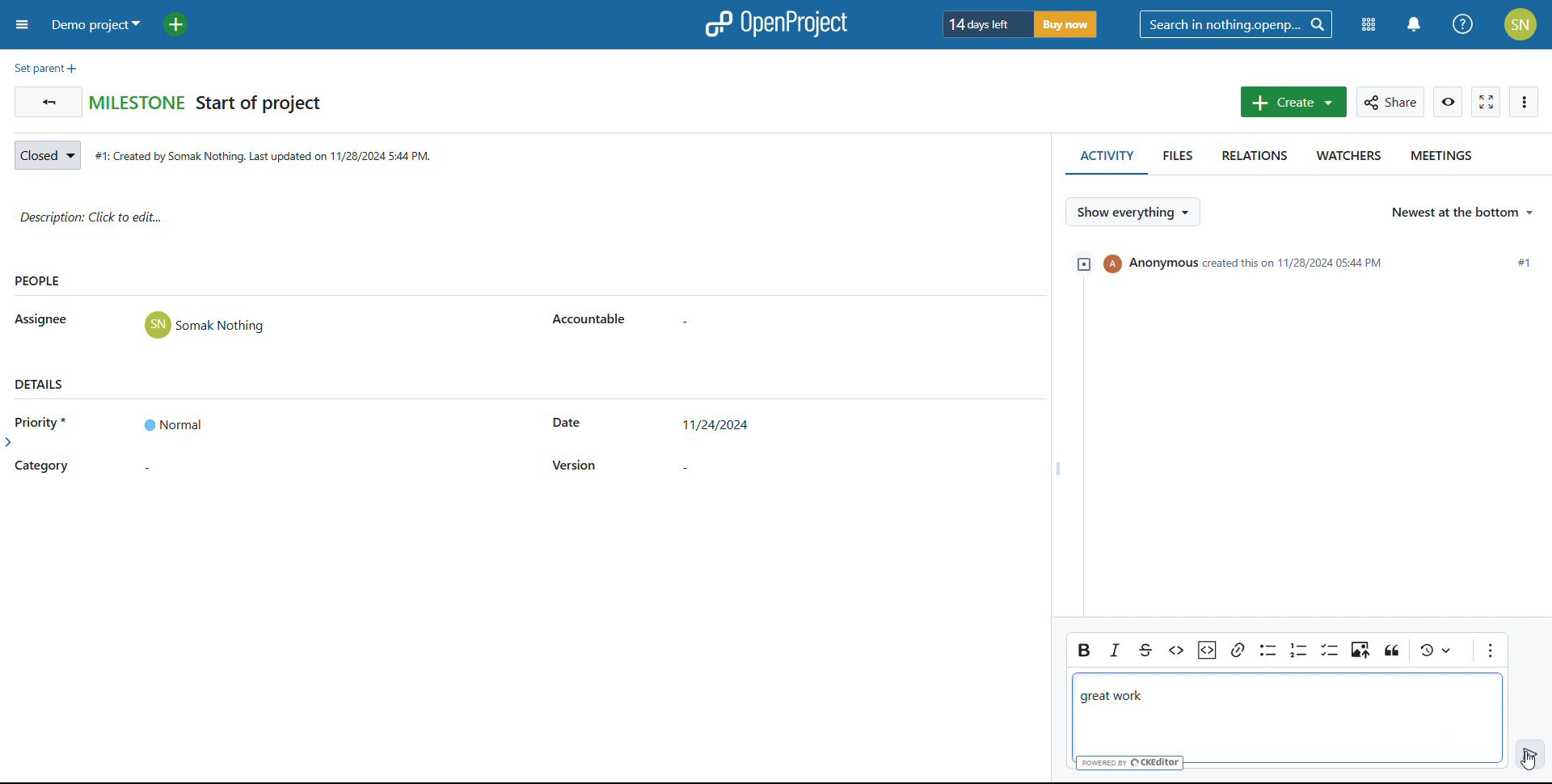 The image size is (1552, 784). Describe the element at coordinates (1081, 263) in the screenshot. I see `expand/collapse` at that location.